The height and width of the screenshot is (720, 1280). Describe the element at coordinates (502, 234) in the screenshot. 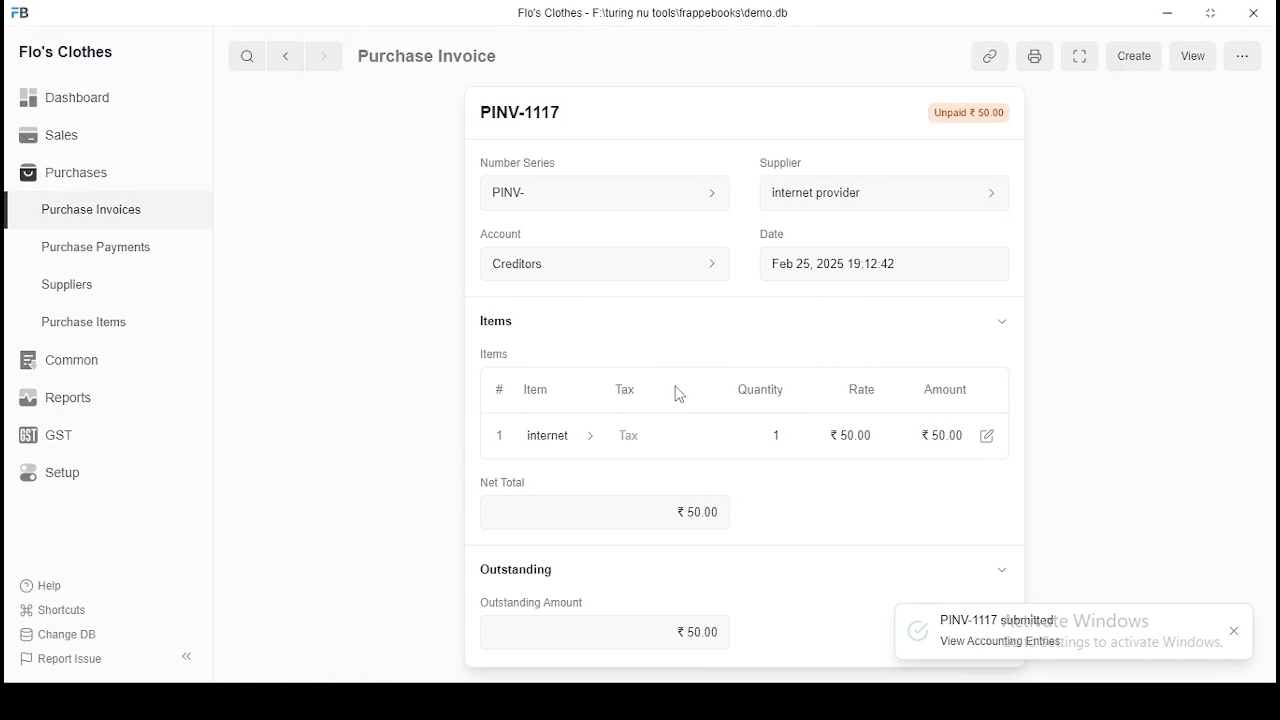

I see `account` at that location.